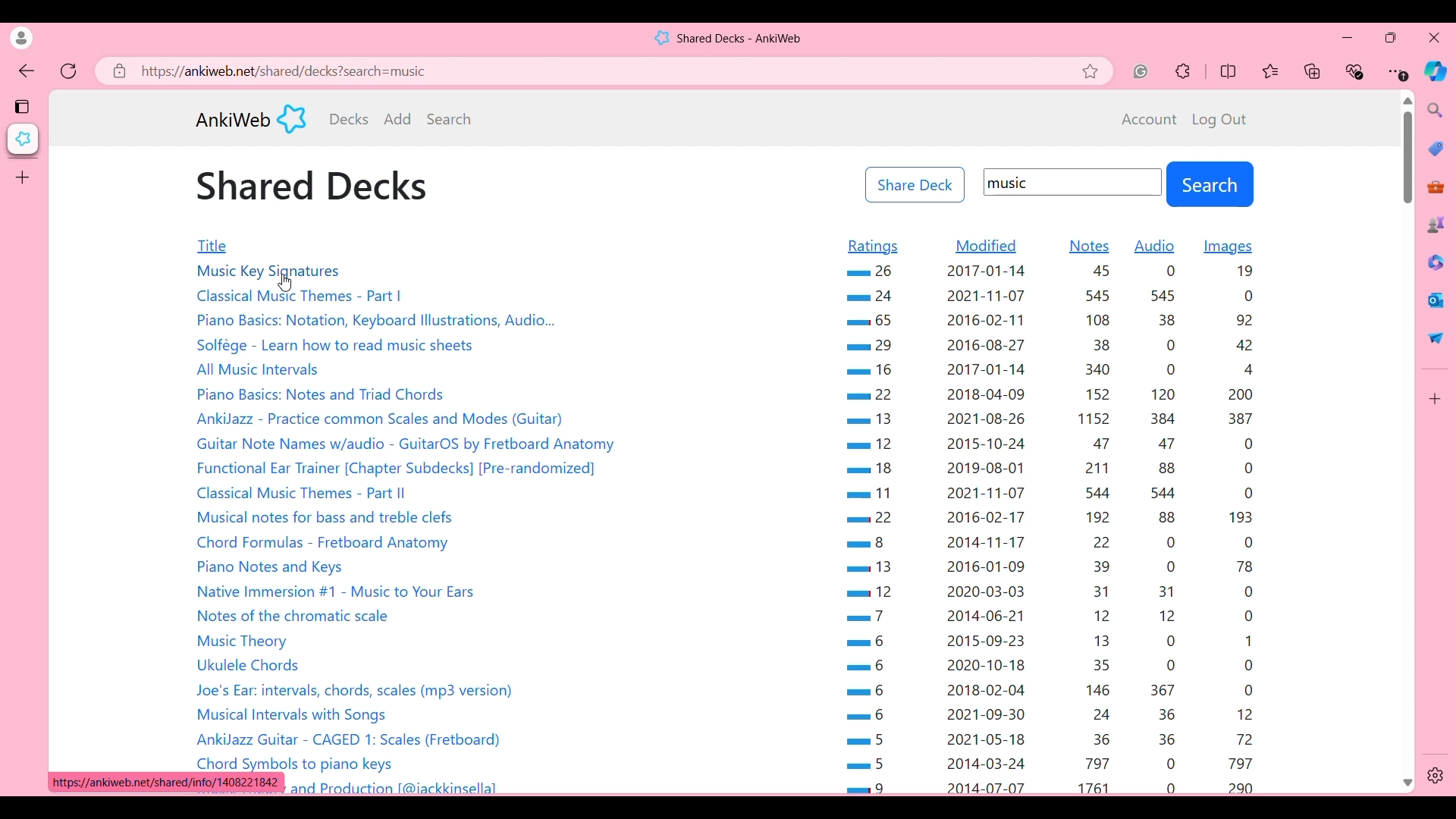  I want to click on Input search, so click(1073, 182).